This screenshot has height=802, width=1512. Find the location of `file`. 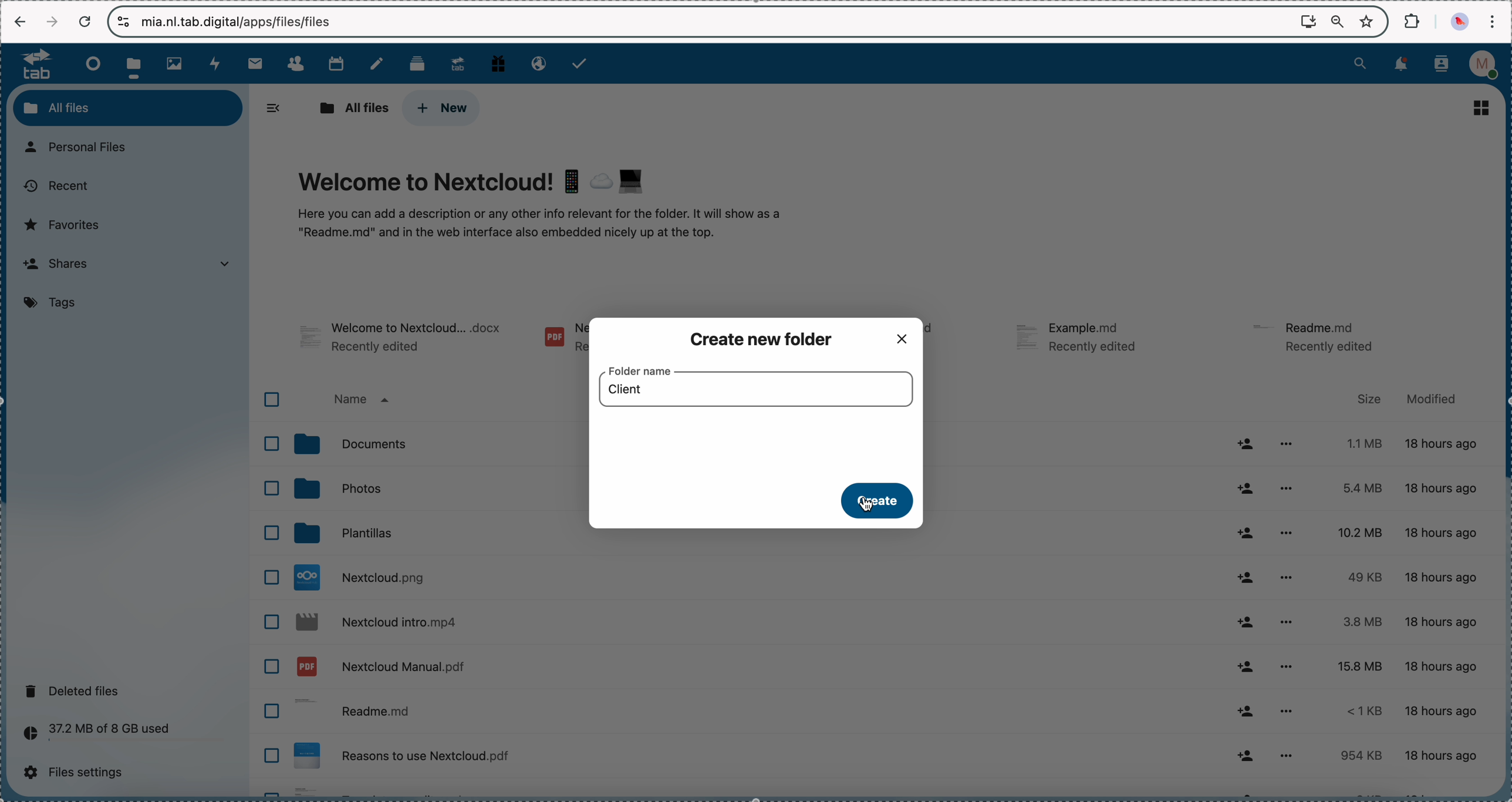

file is located at coordinates (402, 339).